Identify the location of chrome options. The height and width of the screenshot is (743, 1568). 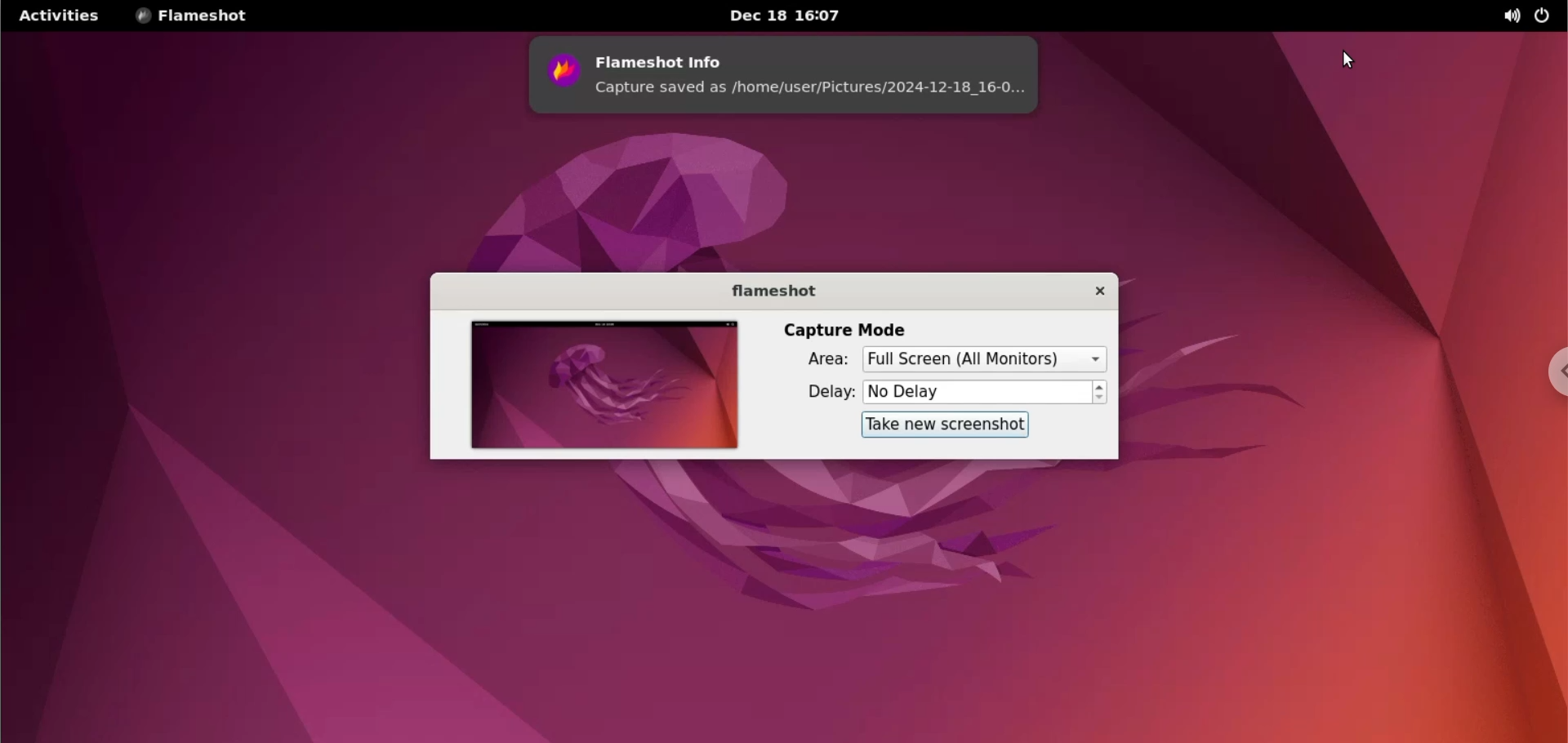
(1552, 376).